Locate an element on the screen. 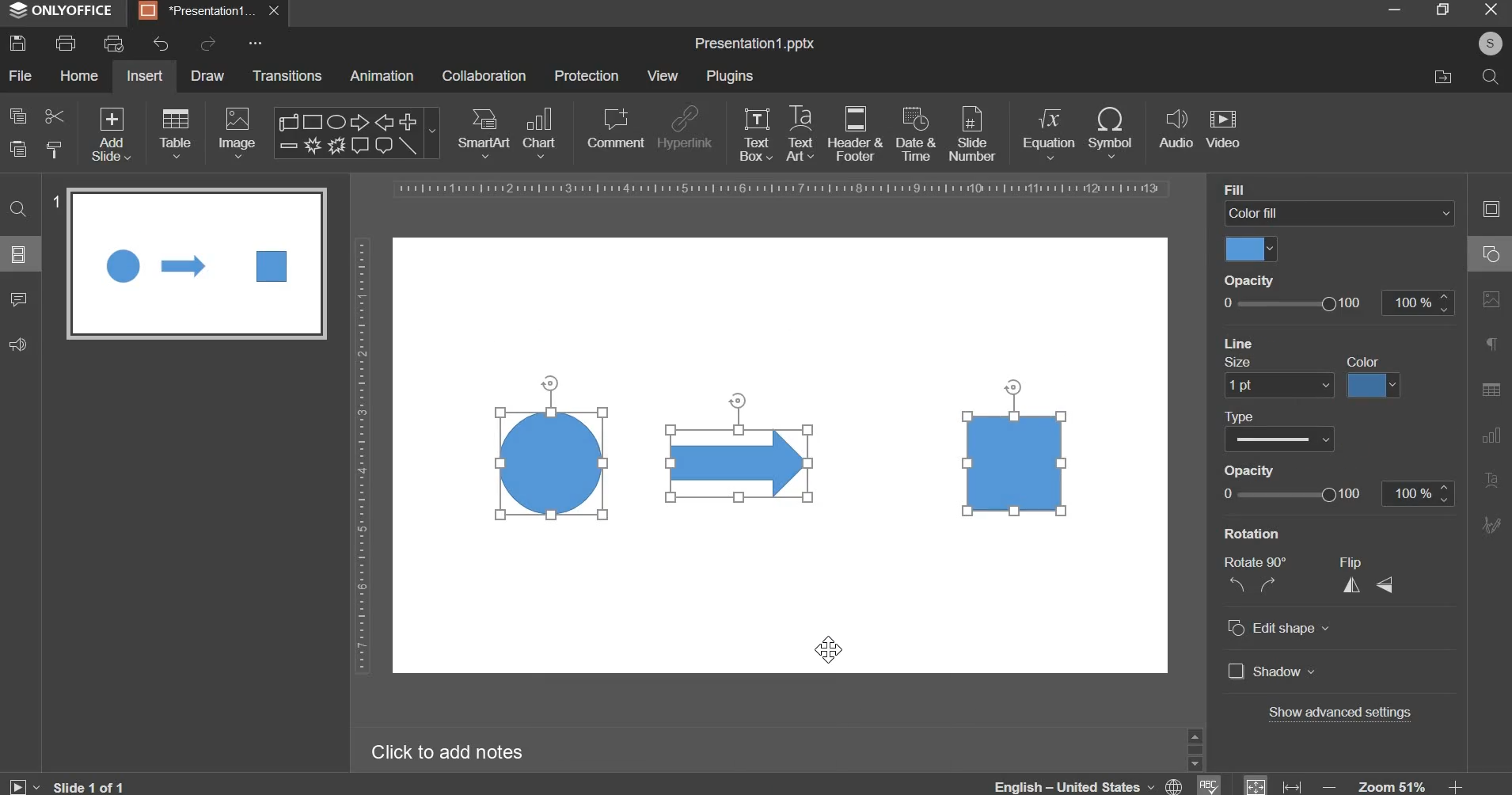 The width and height of the screenshot is (1512, 795). audio is located at coordinates (1176, 130).